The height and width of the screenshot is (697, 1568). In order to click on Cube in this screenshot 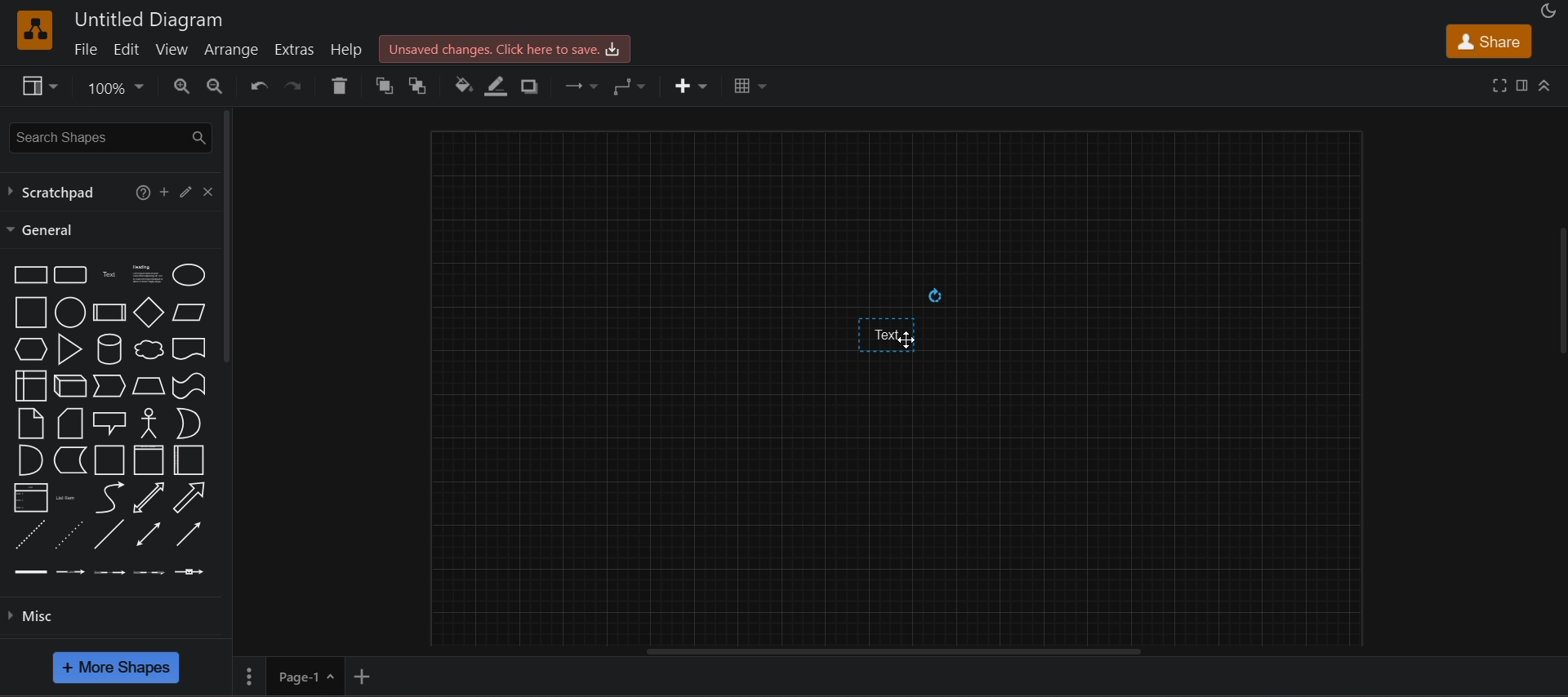, I will do `click(70, 385)`.